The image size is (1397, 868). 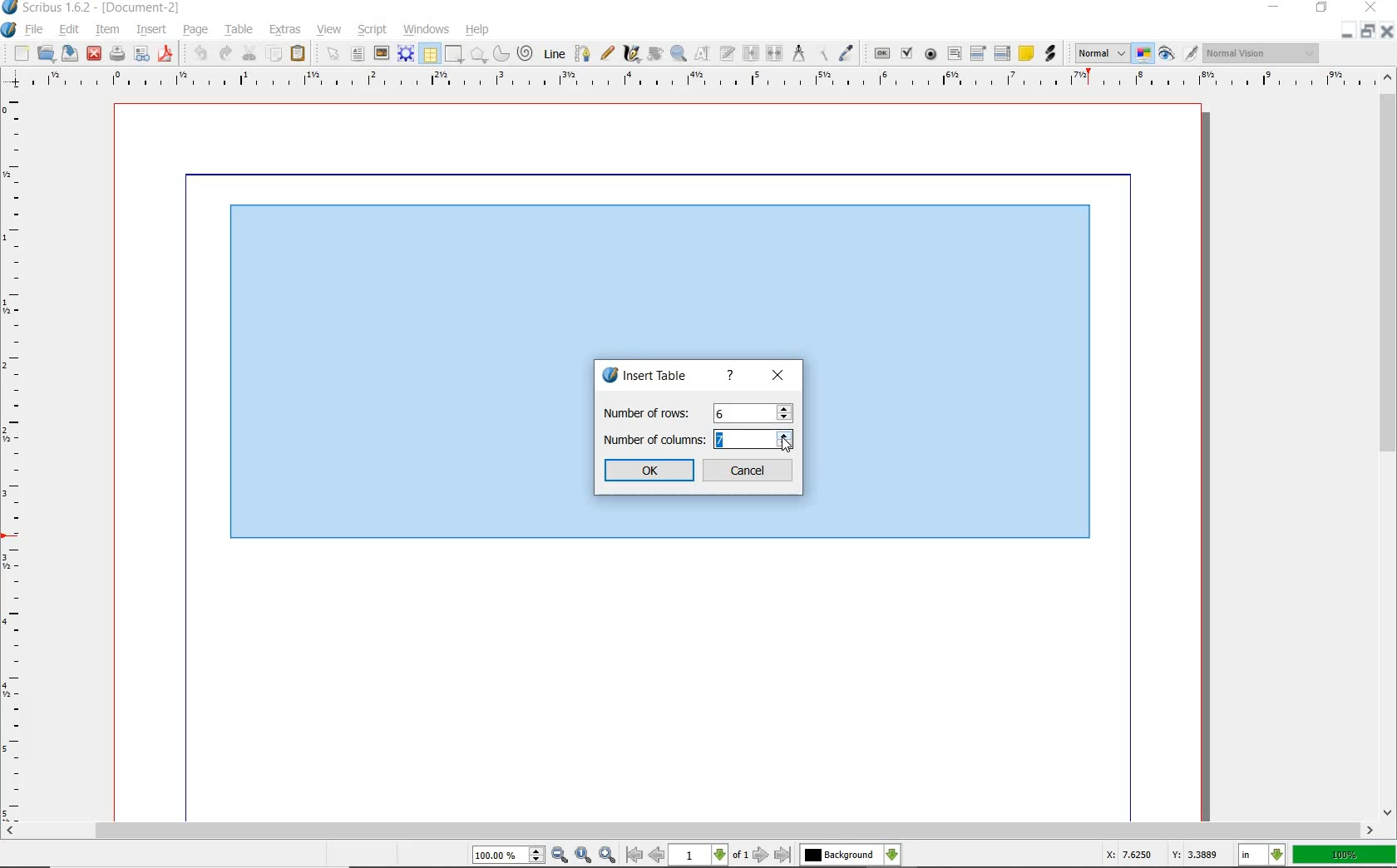 I want to click on preflight verifier, so click(x=143, y=55).